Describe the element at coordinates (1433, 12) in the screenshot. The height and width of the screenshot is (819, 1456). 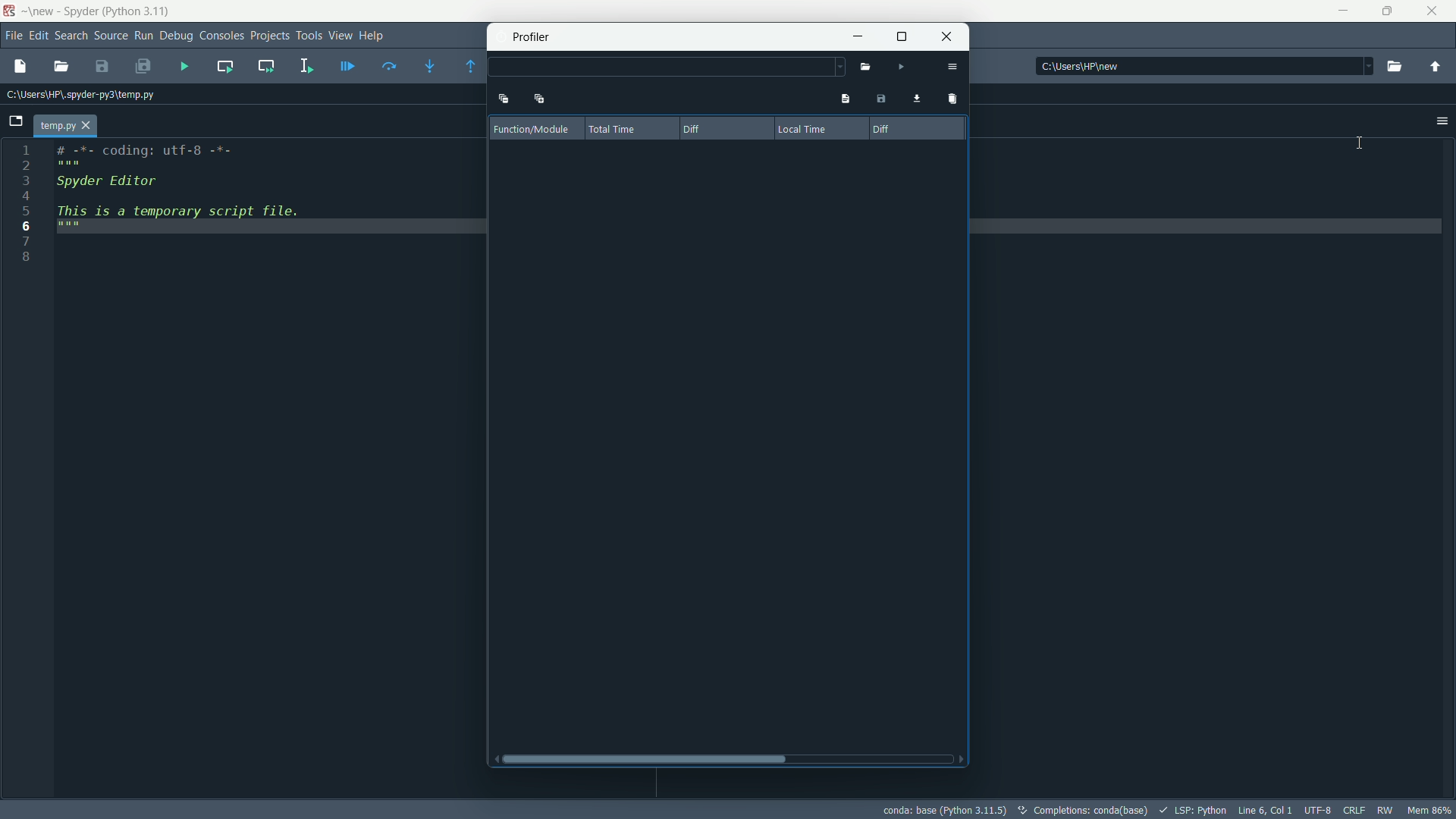
I see `close app` at that location.